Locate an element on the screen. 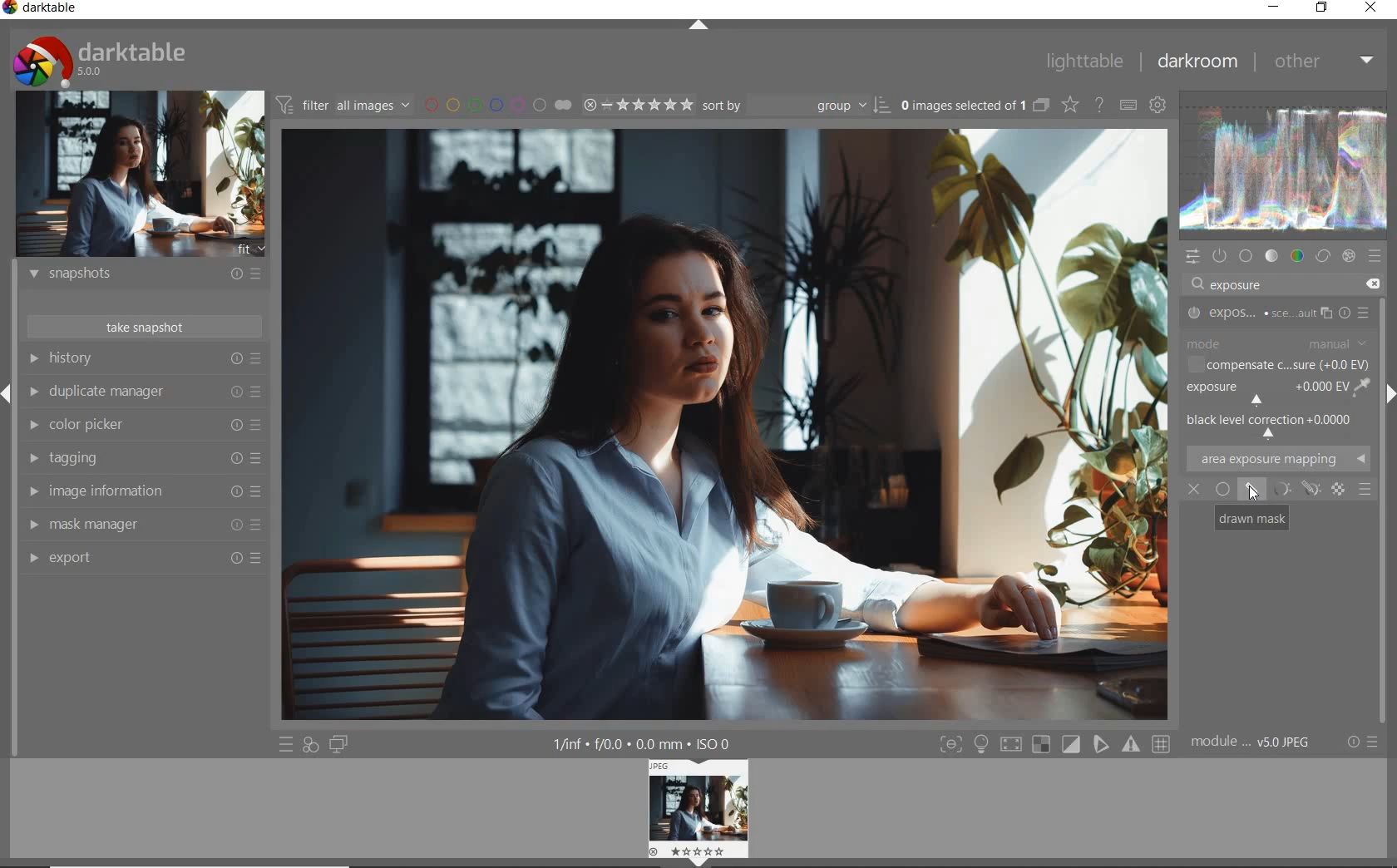  BLENDING MODE is located at coordinates (1365, 491).